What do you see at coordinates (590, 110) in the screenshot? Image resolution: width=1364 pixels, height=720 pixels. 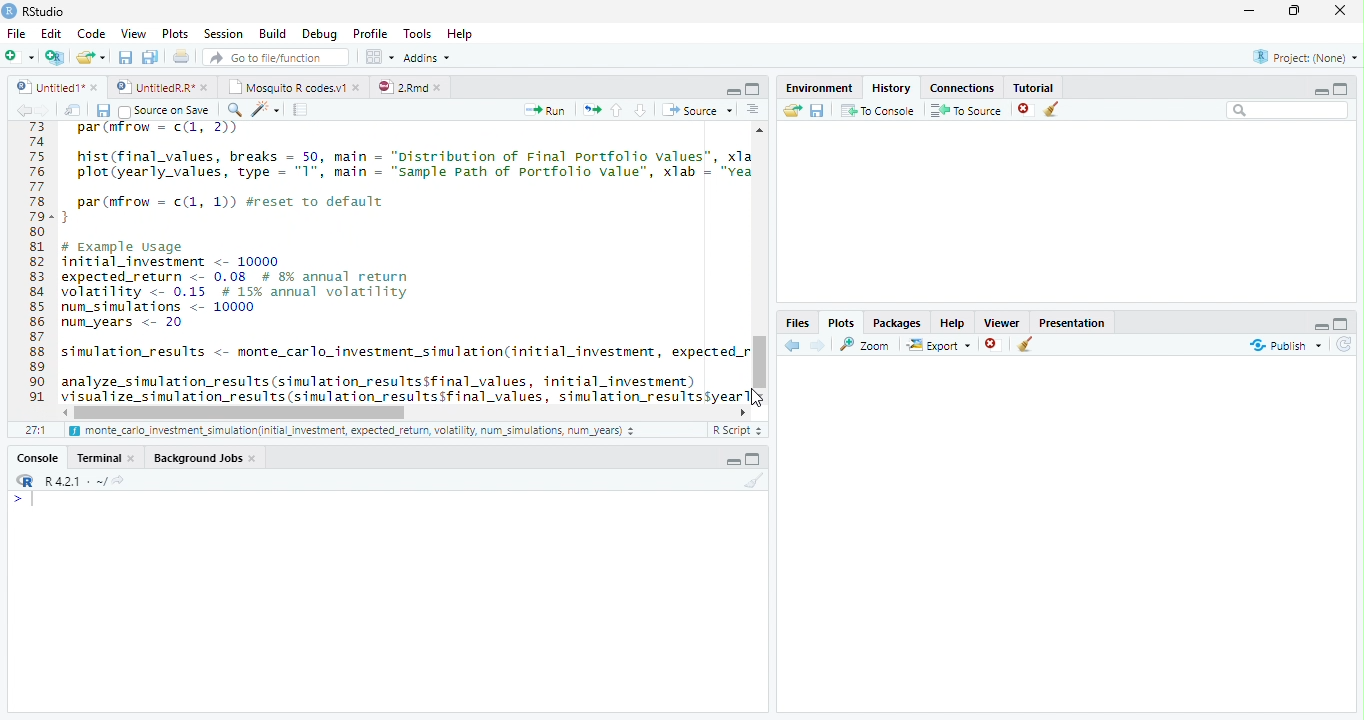 I see `Re-run the previous code region` at bounding box center [590, 110].